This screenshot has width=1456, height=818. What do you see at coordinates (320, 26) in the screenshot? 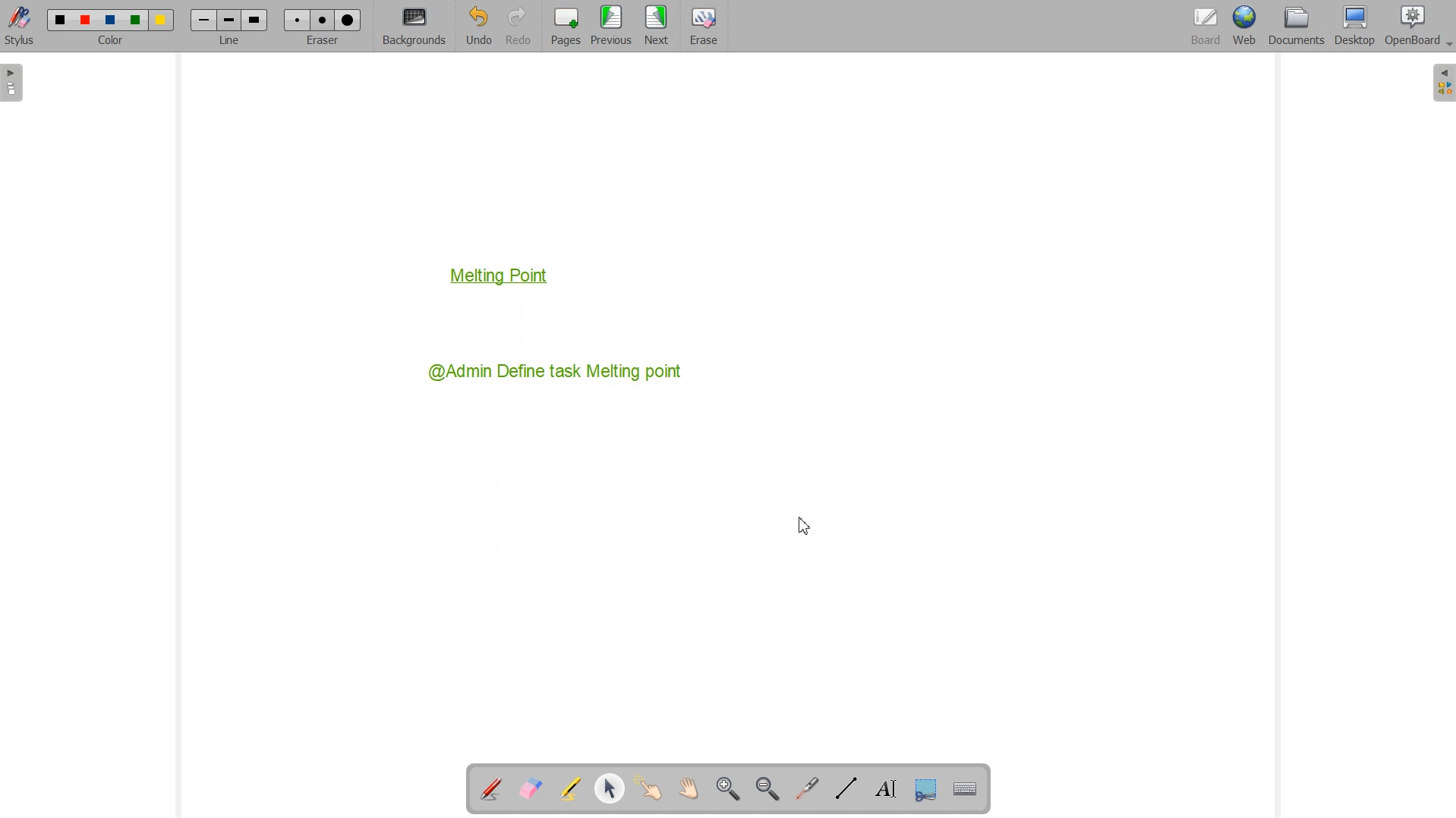
I see `Eraser` at bounding box center [320, 26].